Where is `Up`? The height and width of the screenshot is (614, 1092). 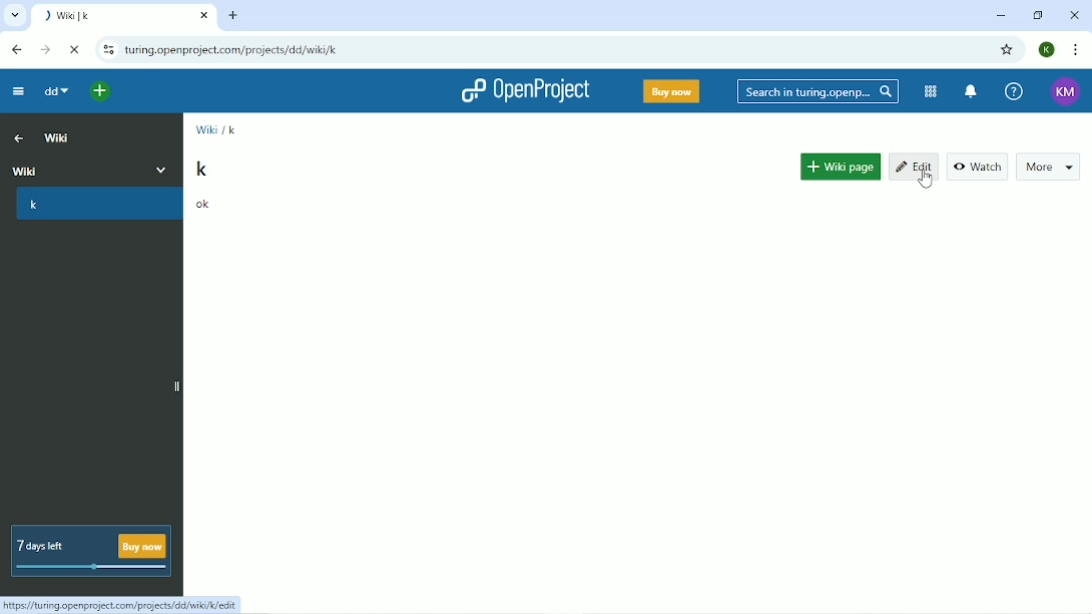 Up is located at coordinates (19, 139).